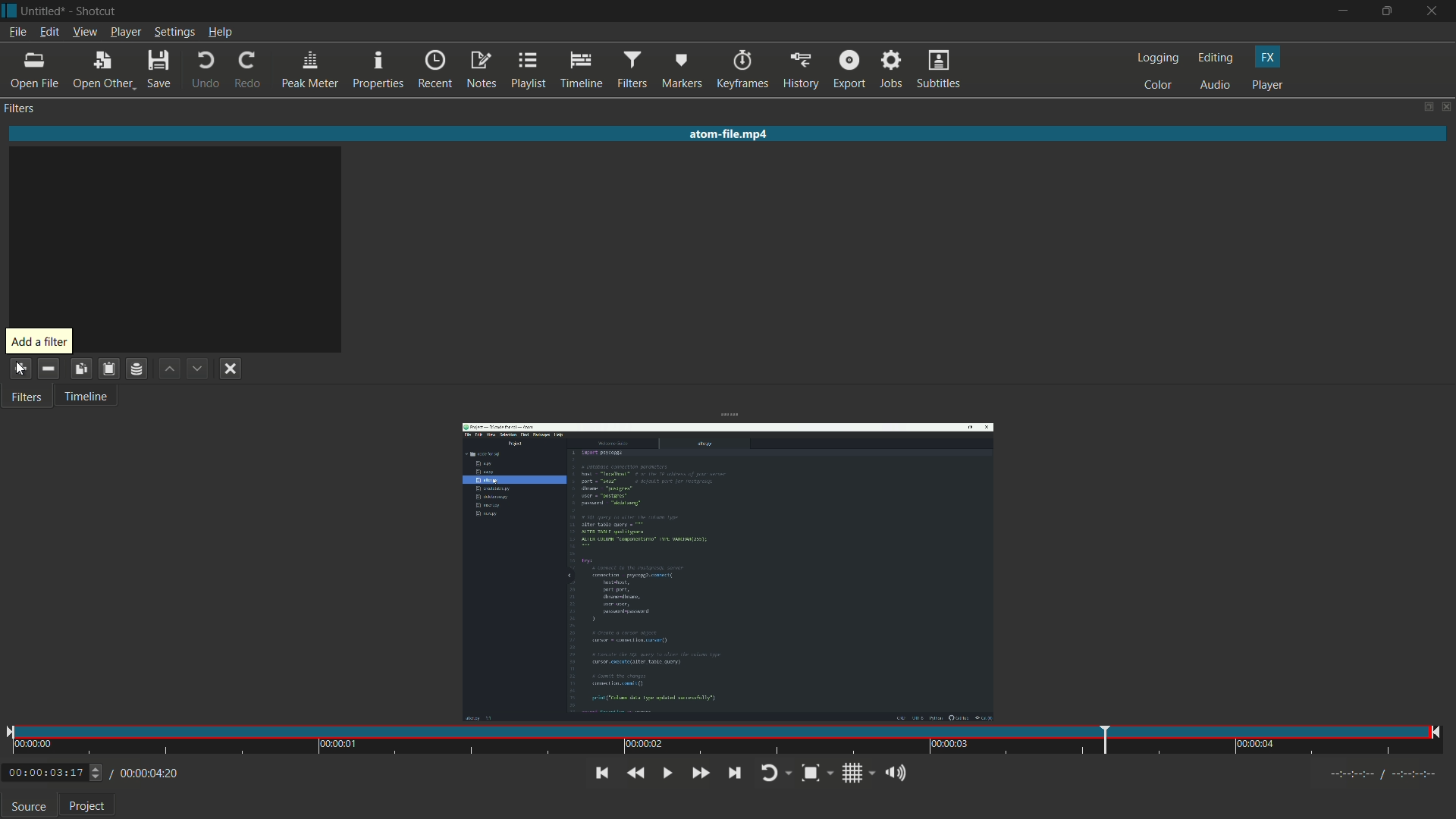 The image size is (1456, 819). I want to click on markers, so click(679, 72).